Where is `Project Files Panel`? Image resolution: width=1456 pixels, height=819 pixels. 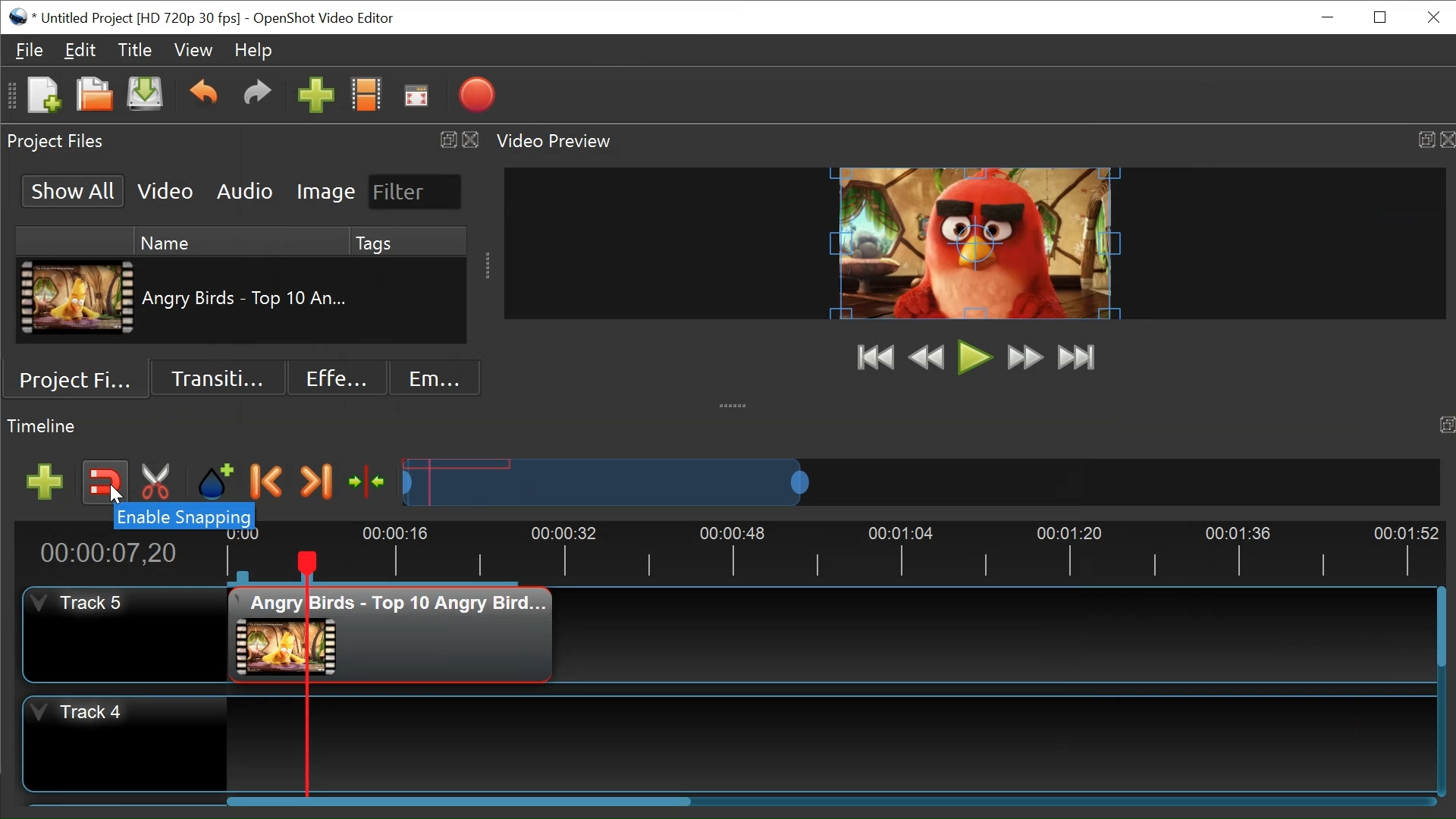 Project Files Panel is located at coordinates (242, 140).